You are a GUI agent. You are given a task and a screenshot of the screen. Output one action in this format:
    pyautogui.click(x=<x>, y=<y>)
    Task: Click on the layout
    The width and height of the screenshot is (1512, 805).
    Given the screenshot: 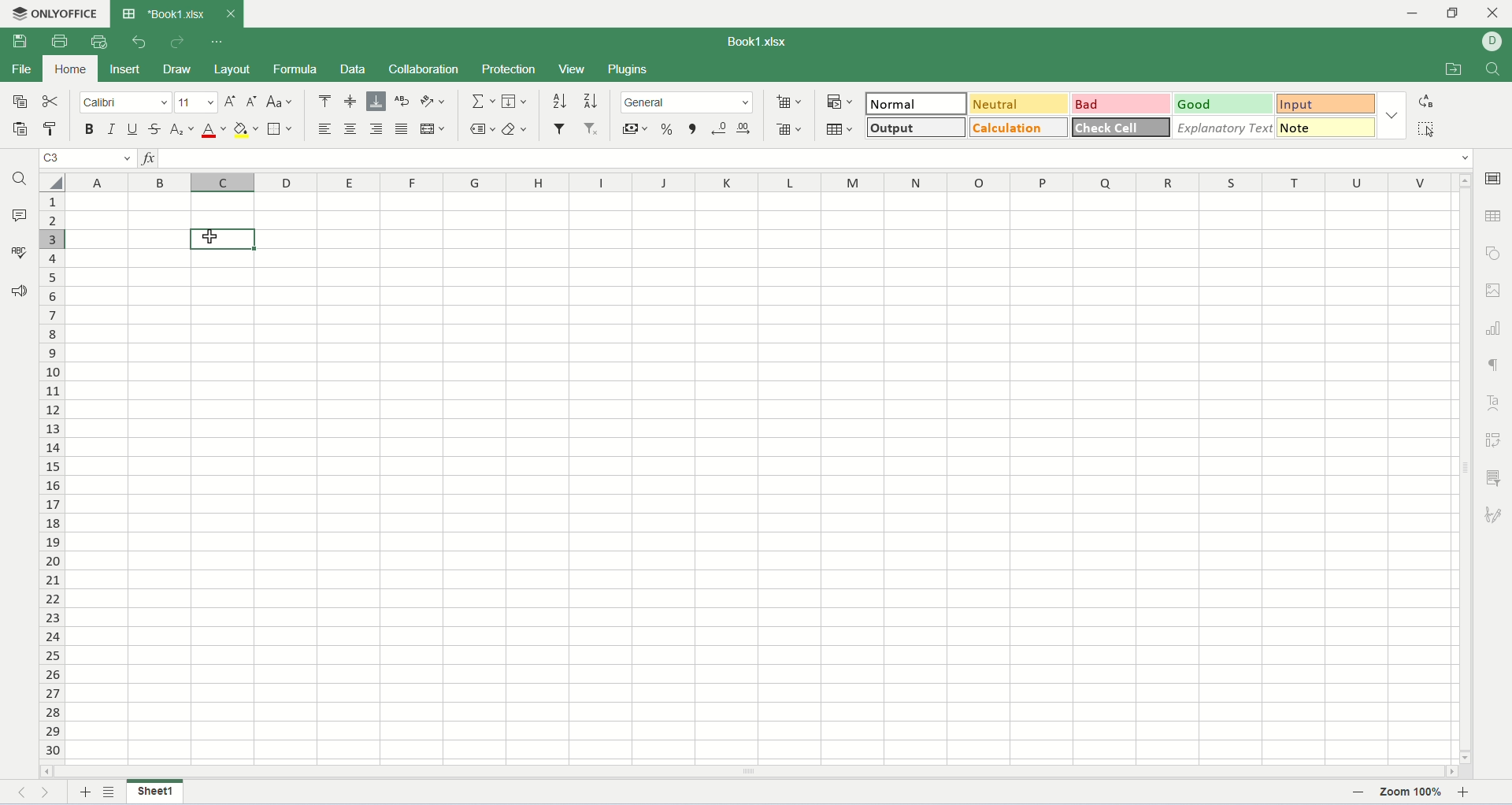 What is the action you would take?
    pyautogui.click(x=233, y=70)
    